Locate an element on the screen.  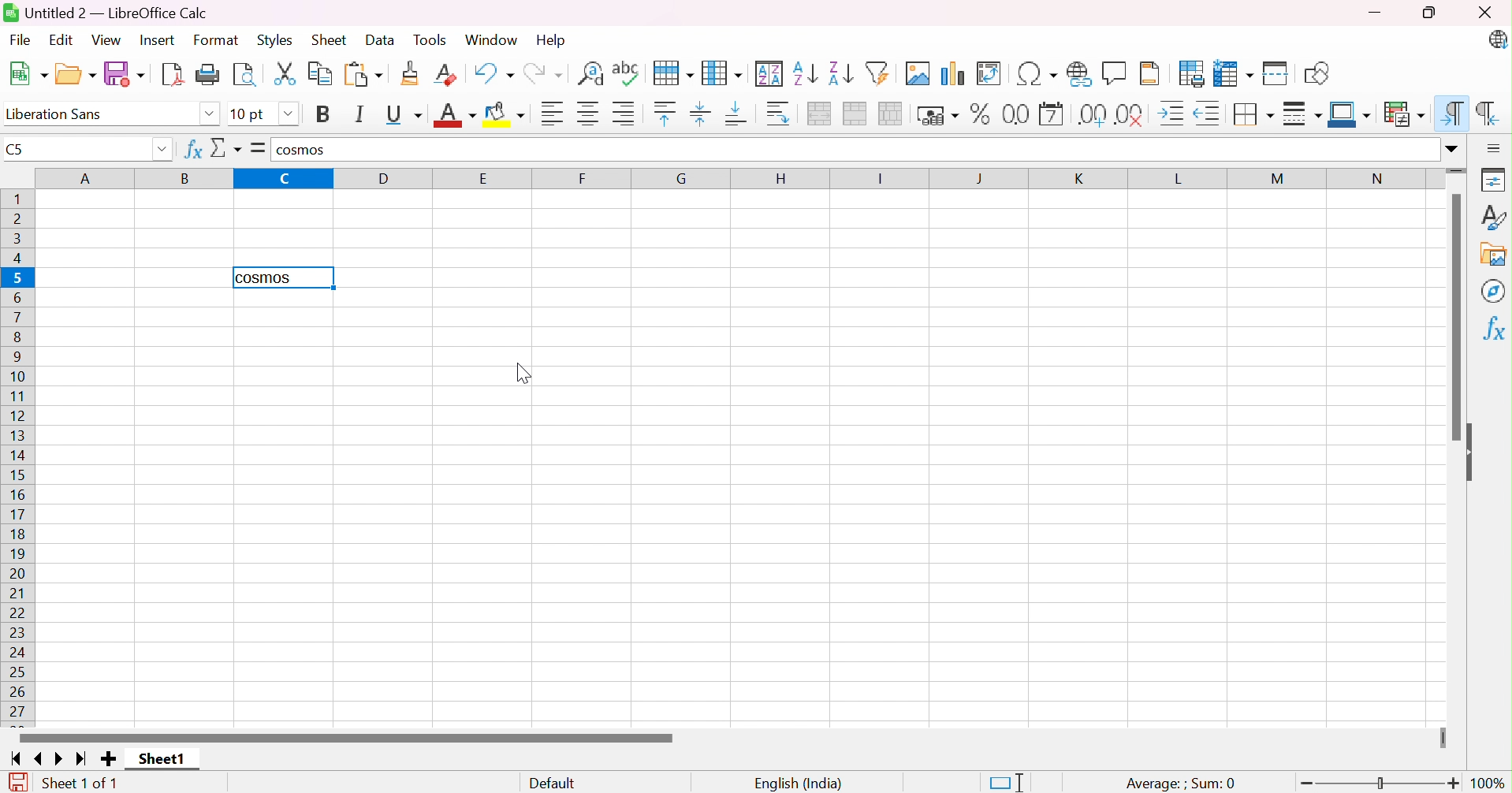
Insert Hyperlink is located at coordinates (1081, 73).